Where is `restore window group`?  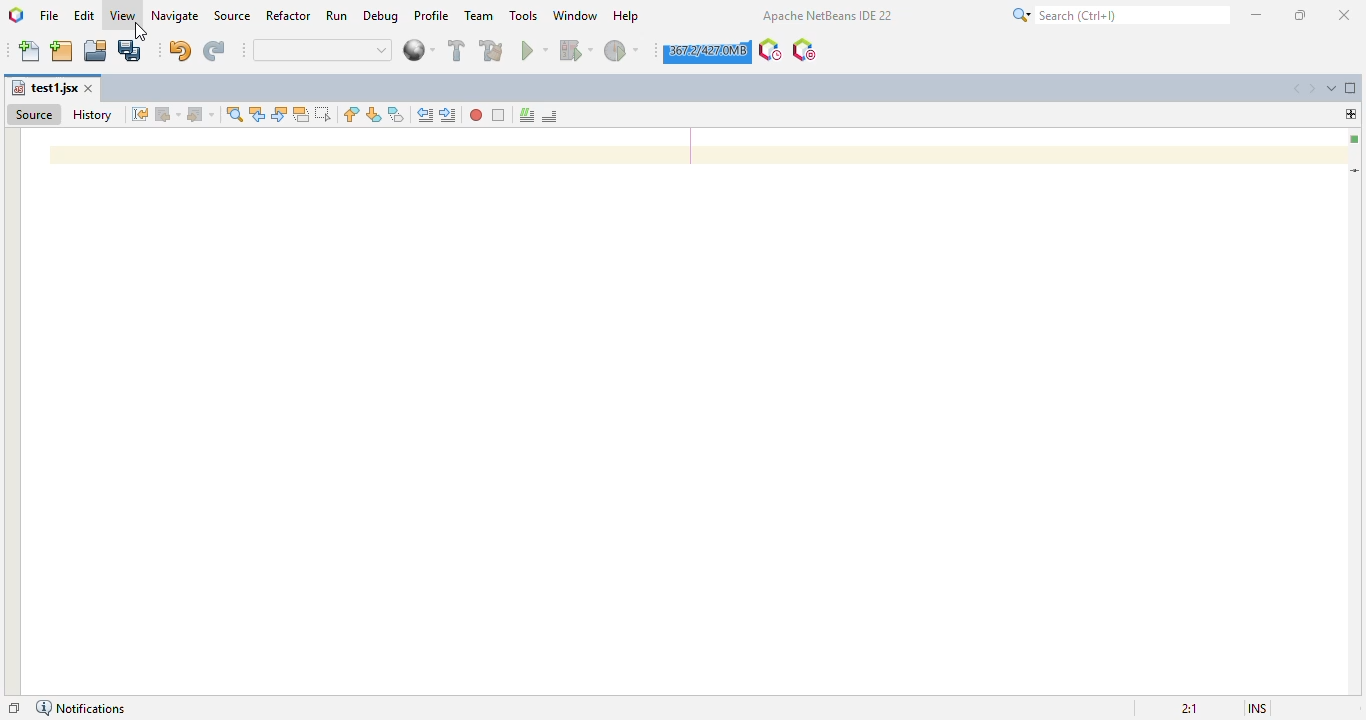 restore window group is located at coordinates (15, 709).